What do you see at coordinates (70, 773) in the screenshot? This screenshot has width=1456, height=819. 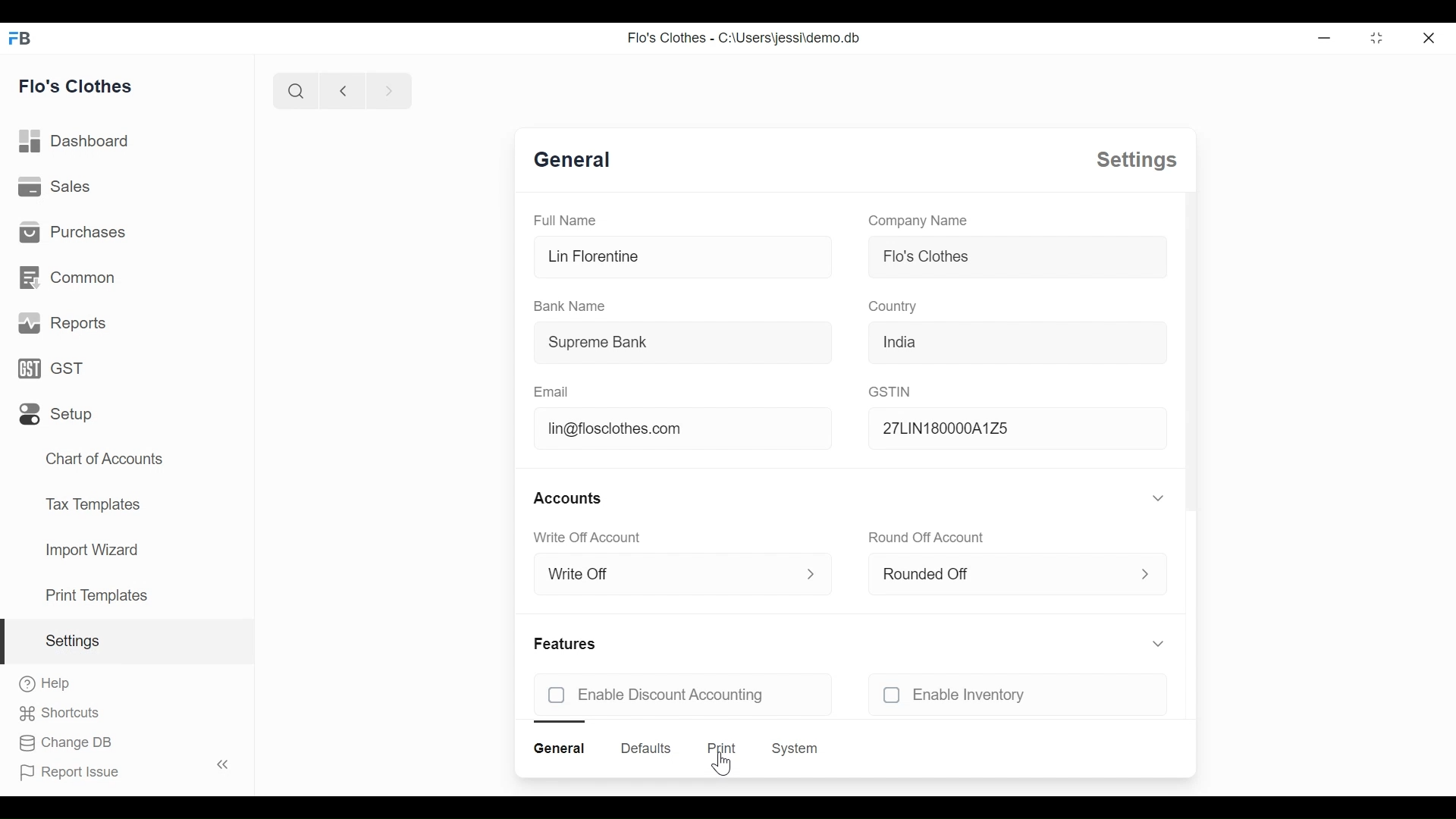 I see `report issue` at bounding box center [70, 773].